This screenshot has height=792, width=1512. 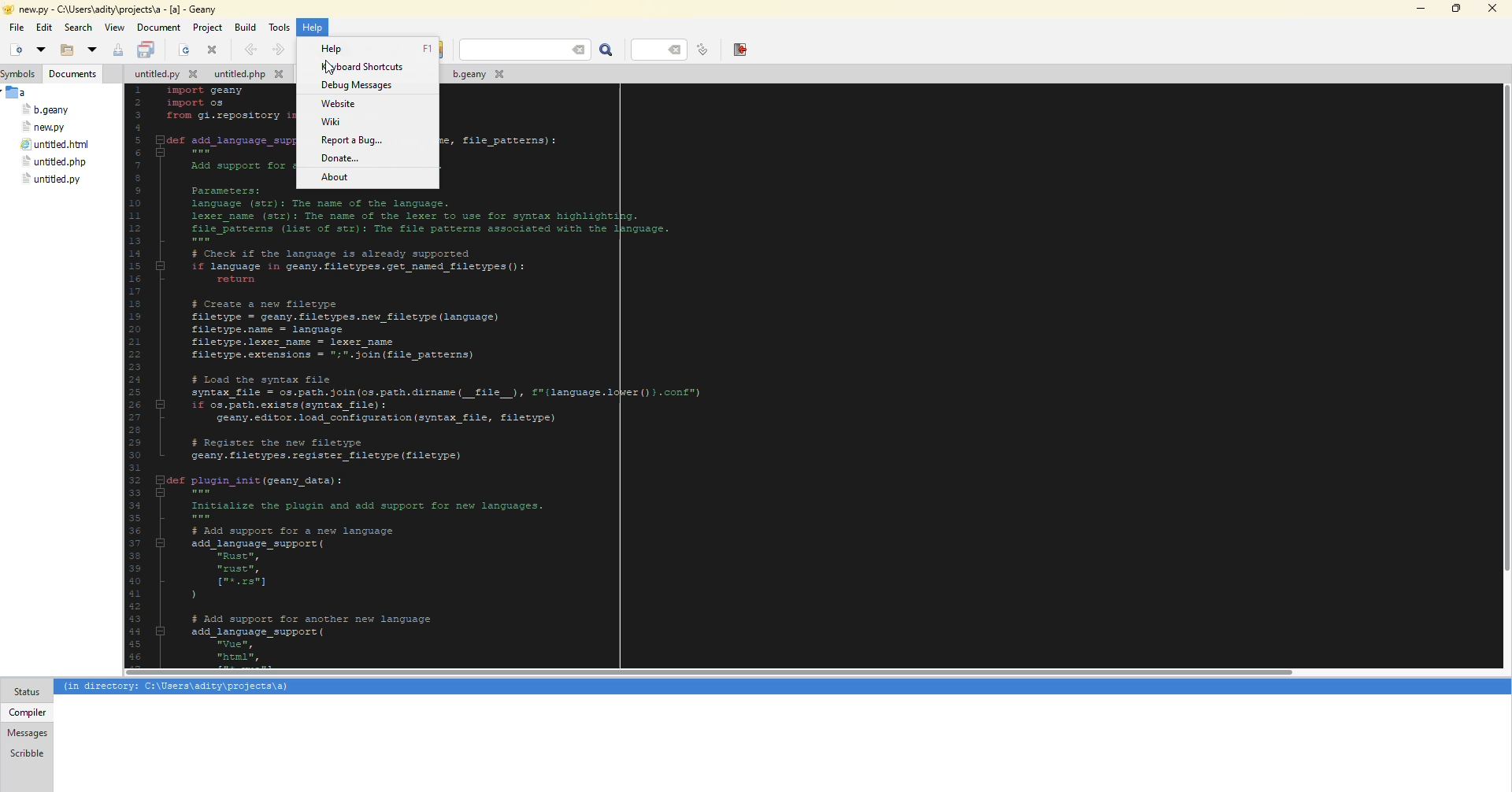 I want to click on document, so click(x=158, y=28).